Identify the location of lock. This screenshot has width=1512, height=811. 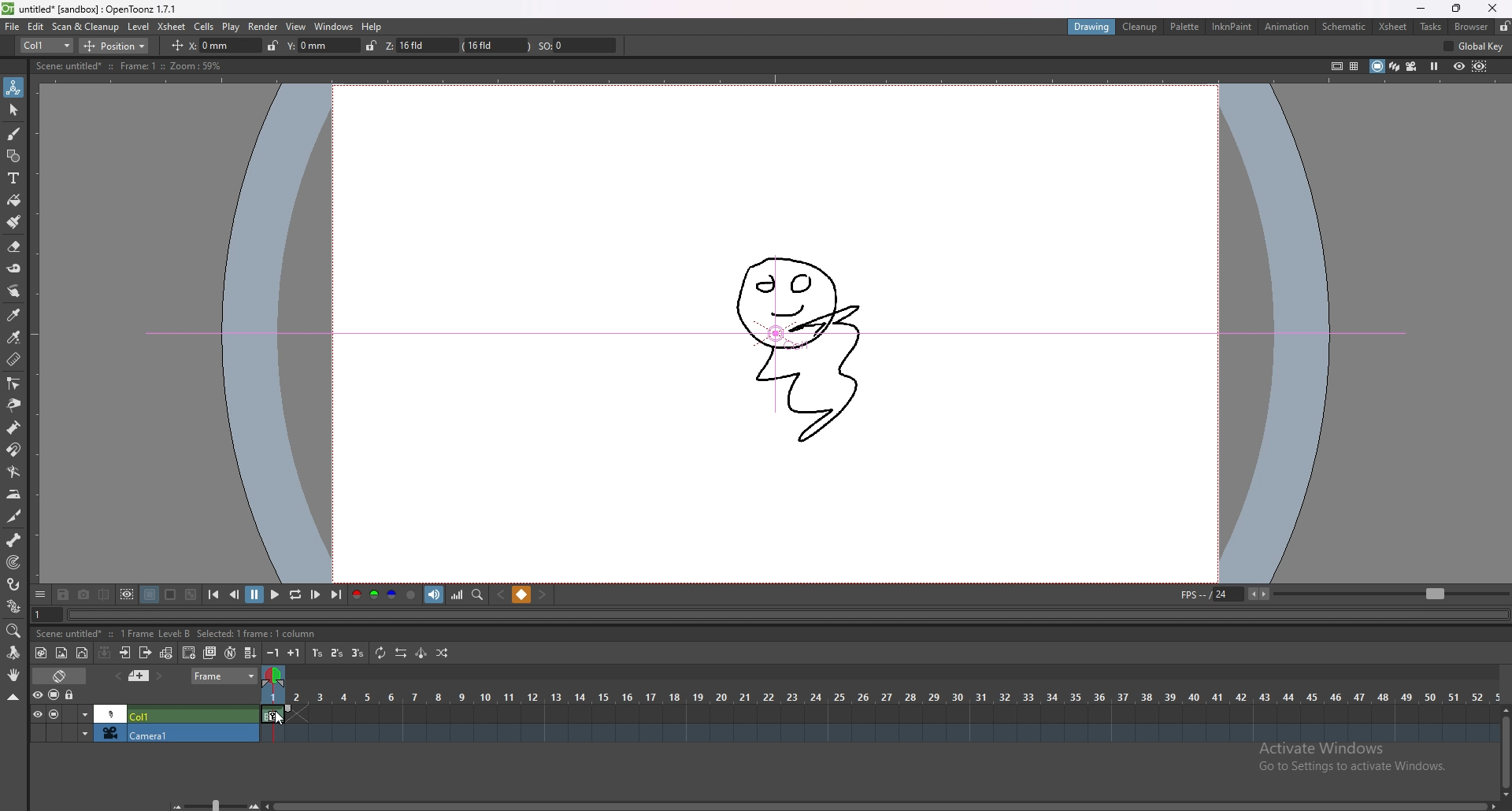
(1503, 26).